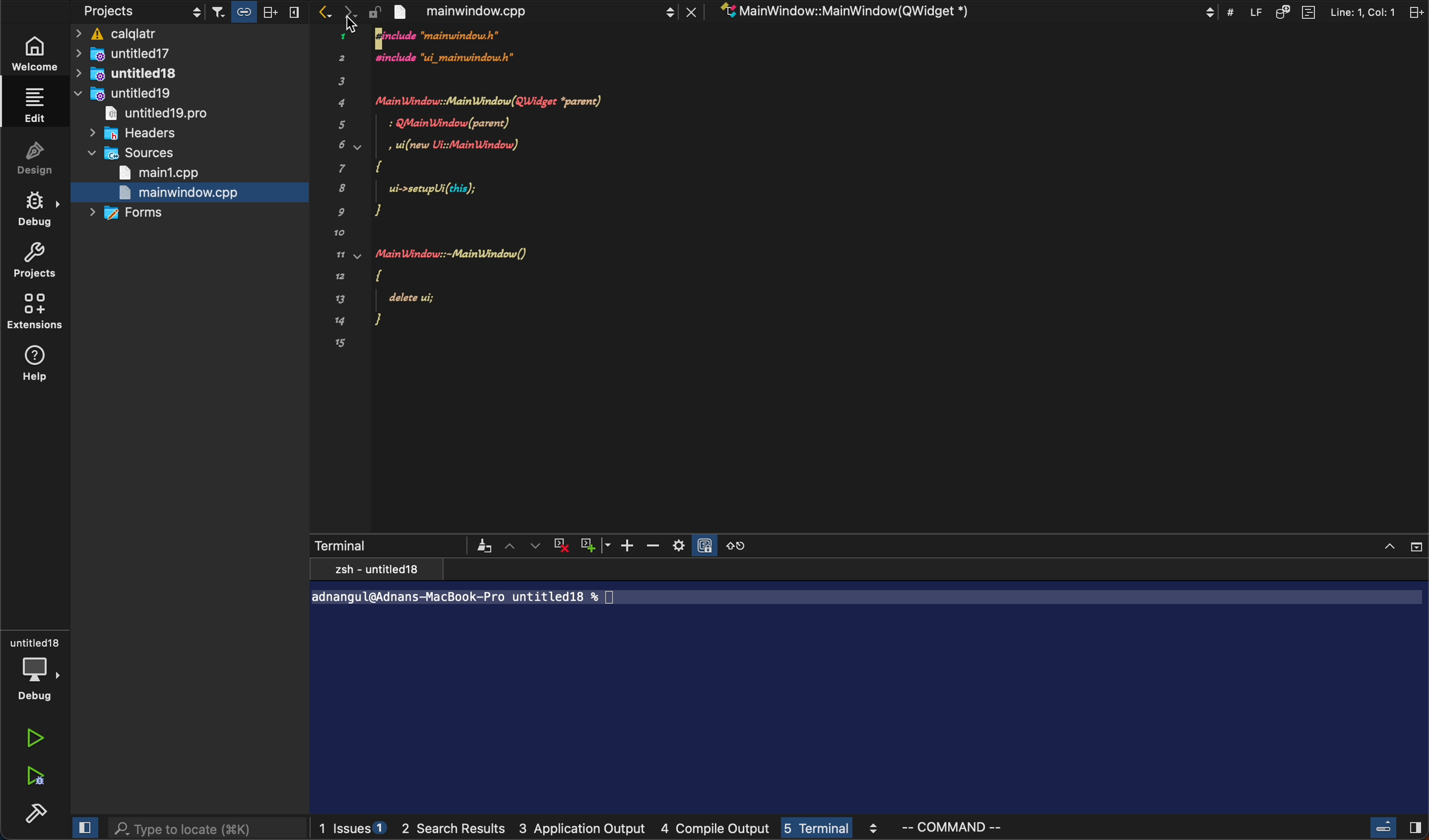 The image size is (1429, 840). I want to click on design, so click(44, 156).